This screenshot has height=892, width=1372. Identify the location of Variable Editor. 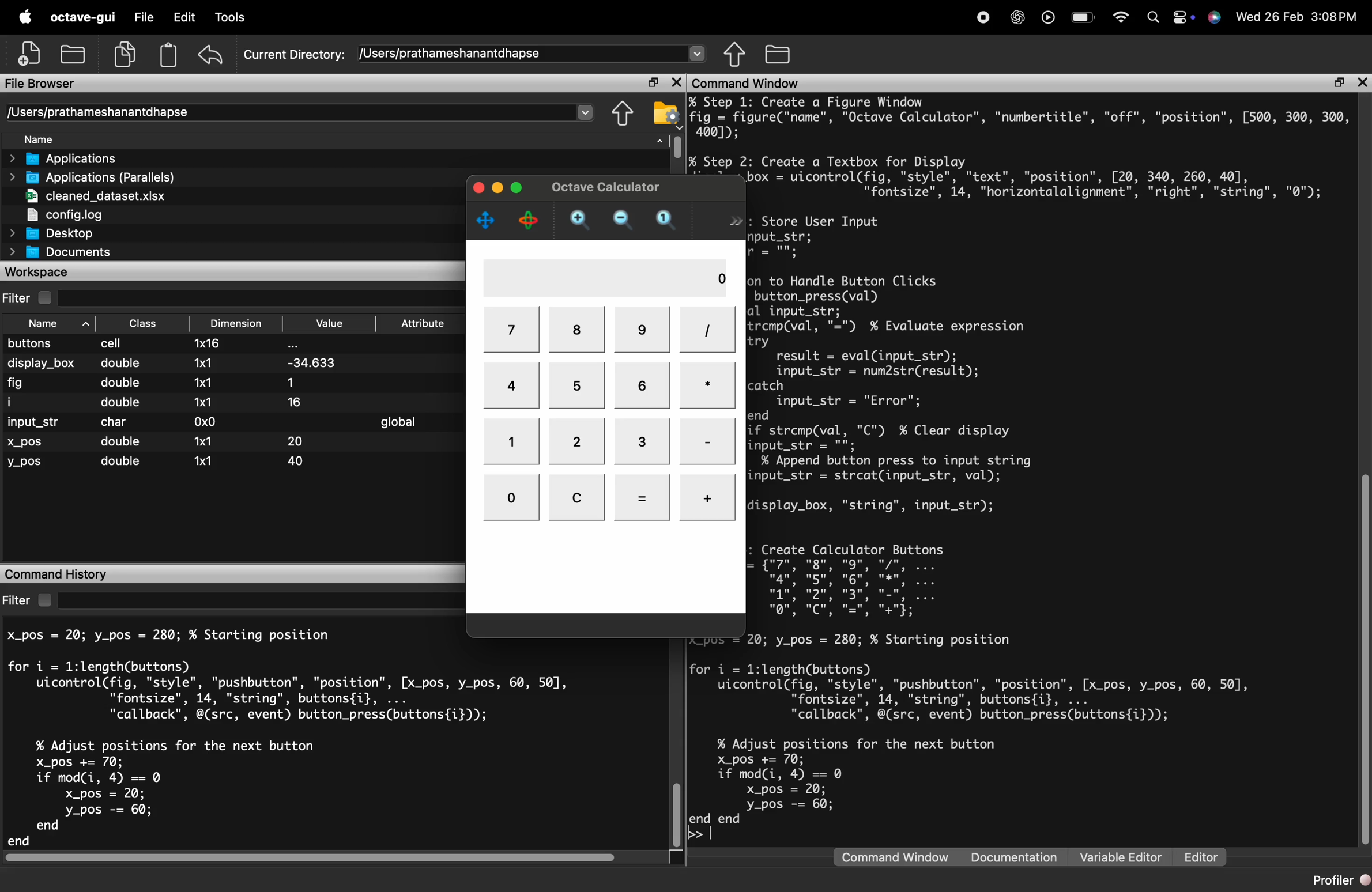
(1118, 858).